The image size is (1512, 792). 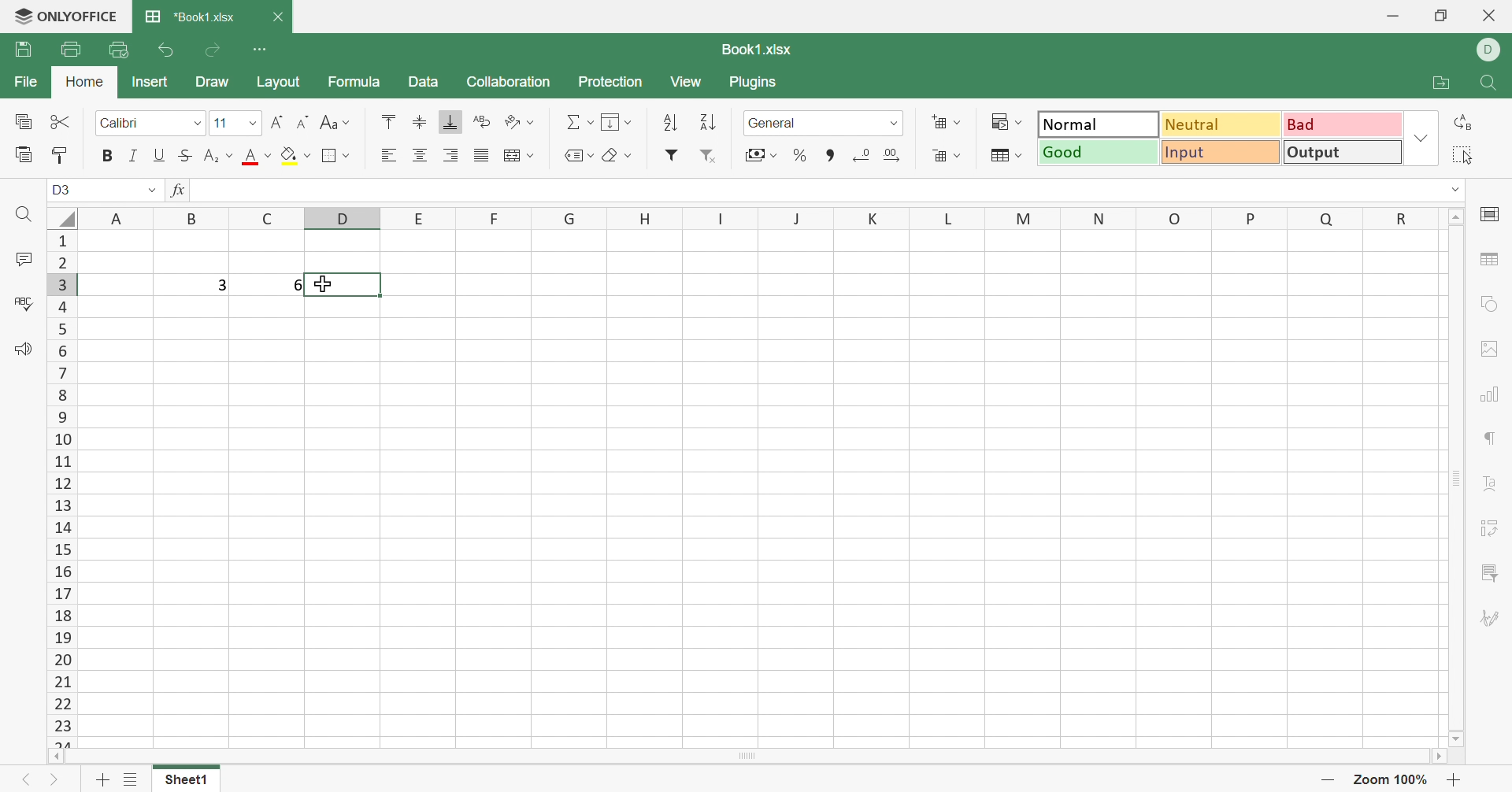 What do you see at coordinates (213, 50) in the screenshot?
I see `Redo` at bounding box center [213, 50].